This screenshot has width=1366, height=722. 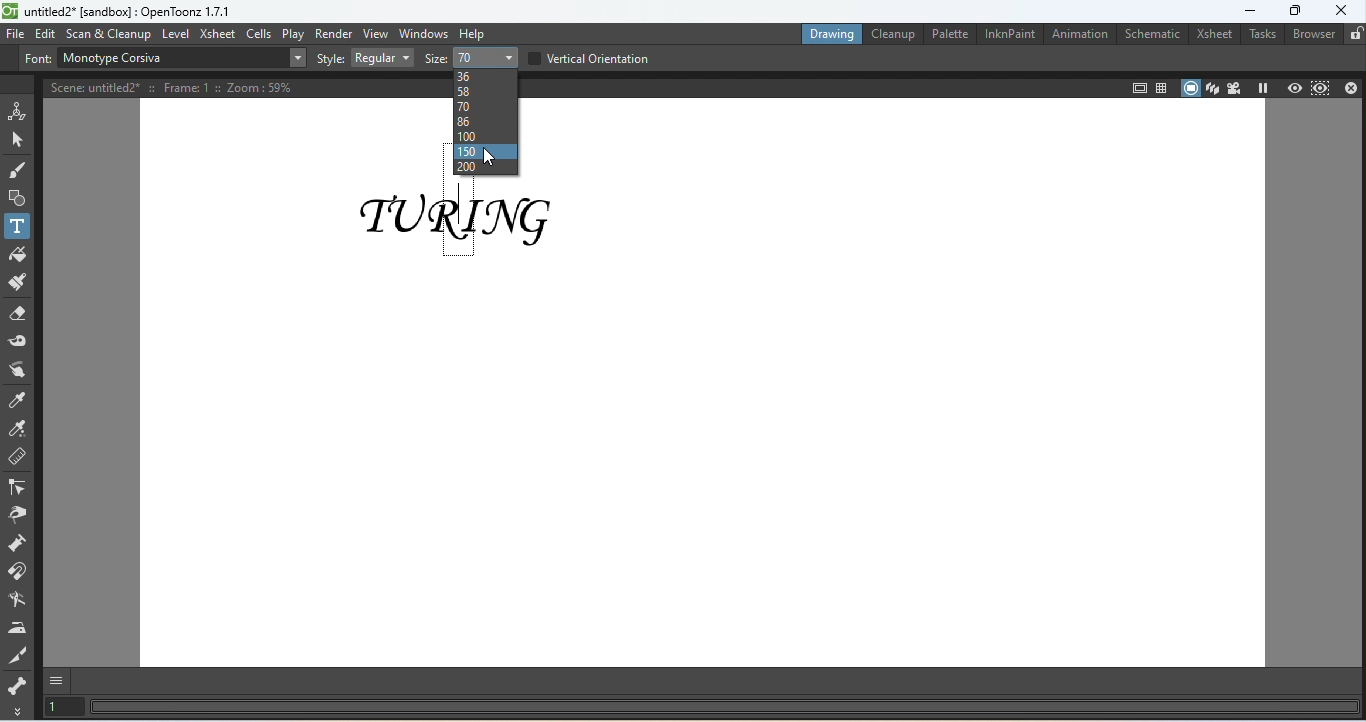 What do you see at coordinates (423, 33) in the screenshot?
I see `Windows` at bounding box center [423, 33].